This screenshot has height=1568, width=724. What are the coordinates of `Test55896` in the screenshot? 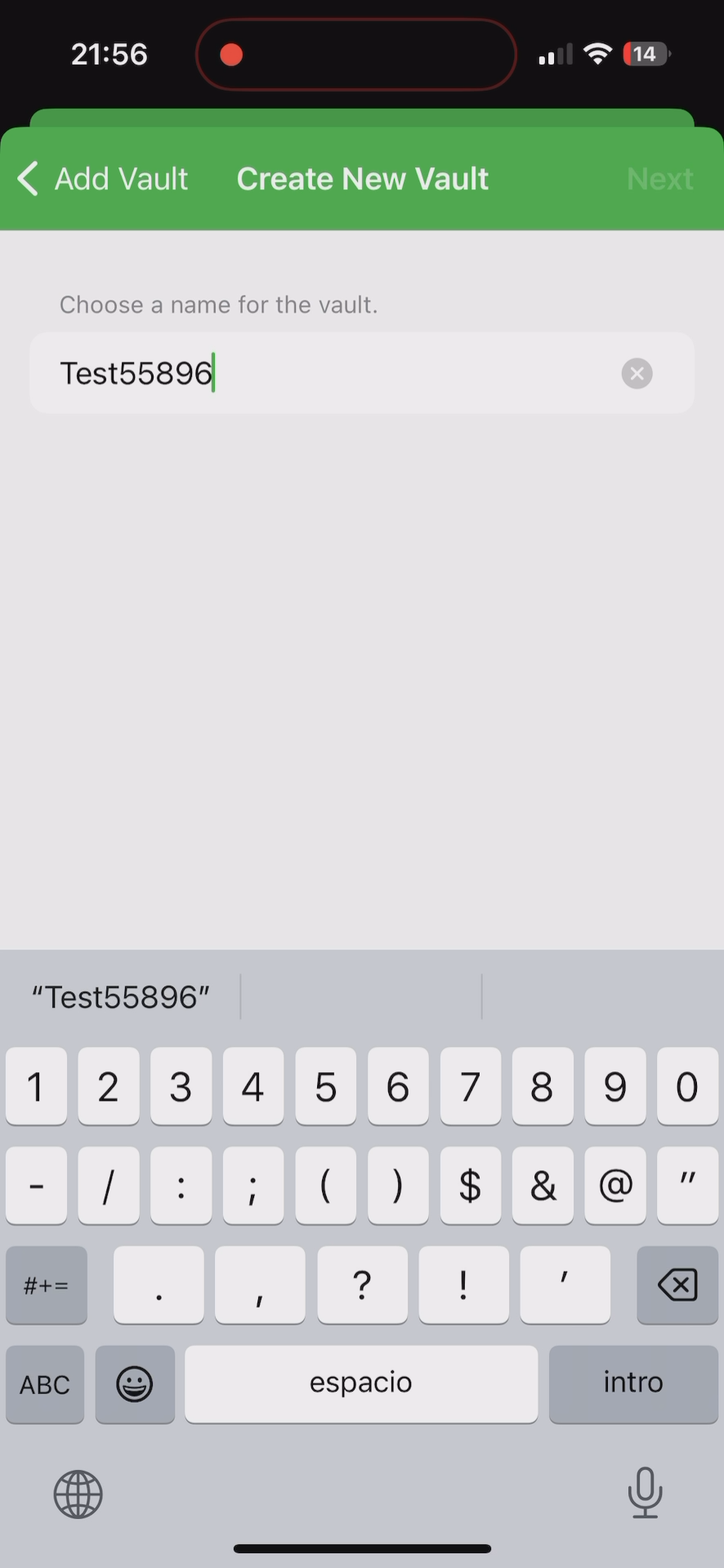 It's located at (364, 373).